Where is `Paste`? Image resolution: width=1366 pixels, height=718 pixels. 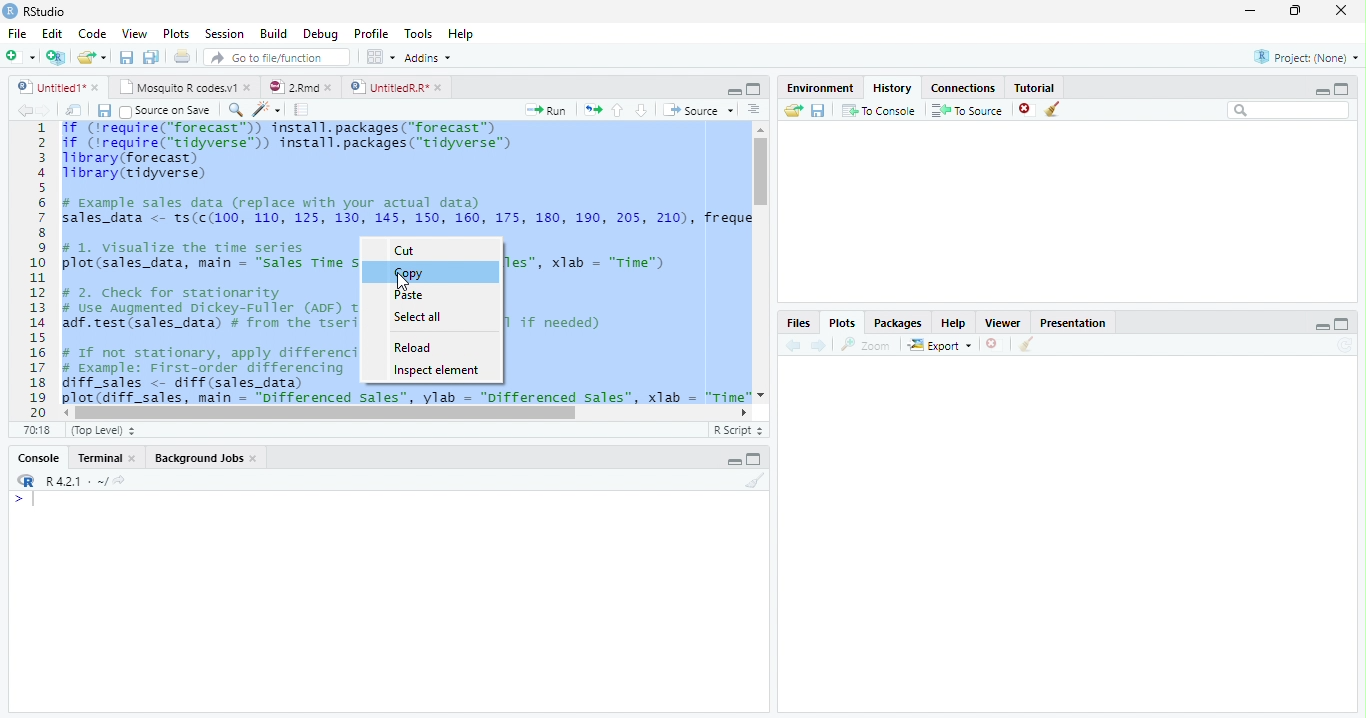
Paste is located at coordinates (409, 296).